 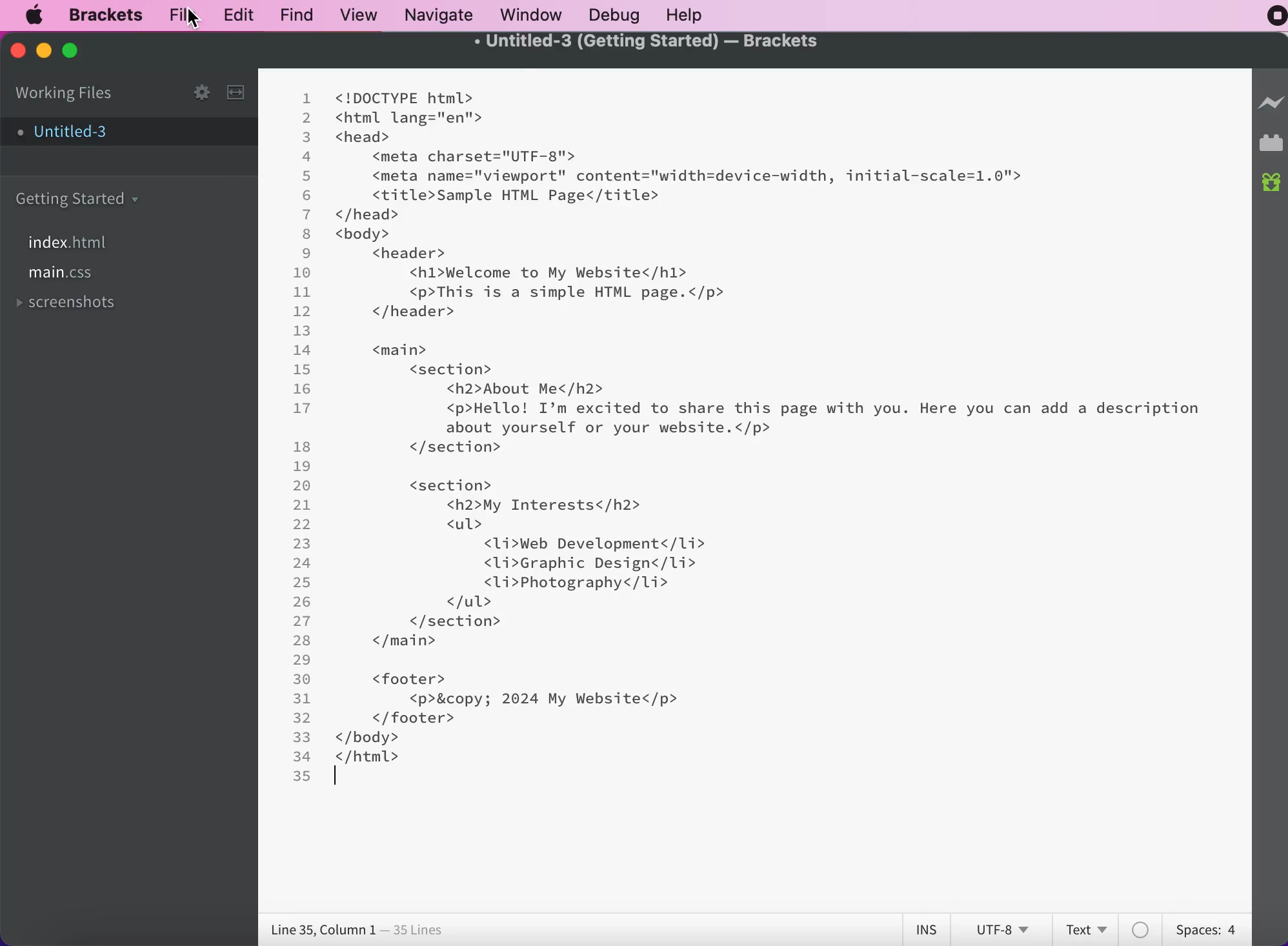 What do you see at coordinates (302, 505) in the screenshot?
I see `21` at bounding box center [302, 505].